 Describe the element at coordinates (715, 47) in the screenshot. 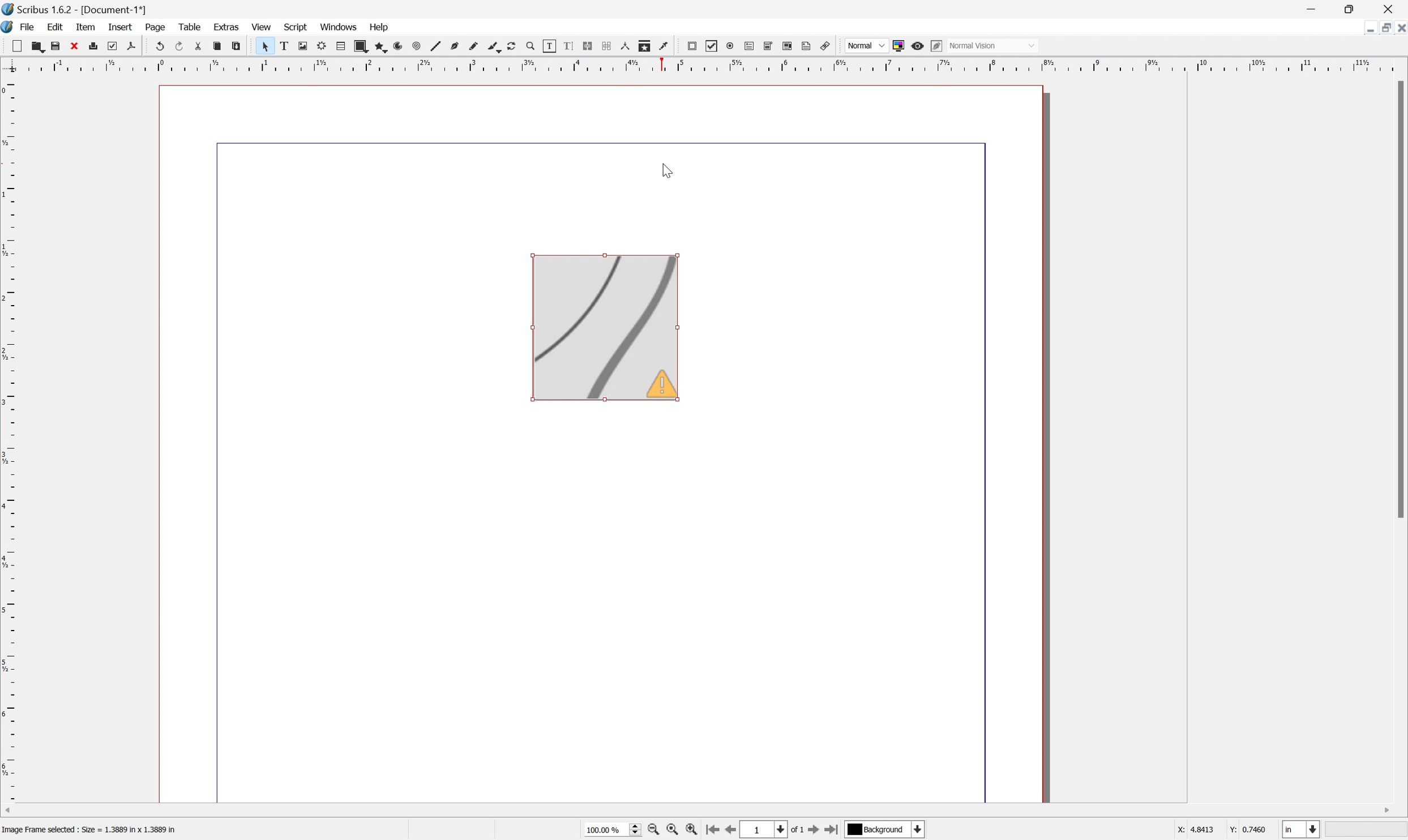

I see `PDF check box` at that location.